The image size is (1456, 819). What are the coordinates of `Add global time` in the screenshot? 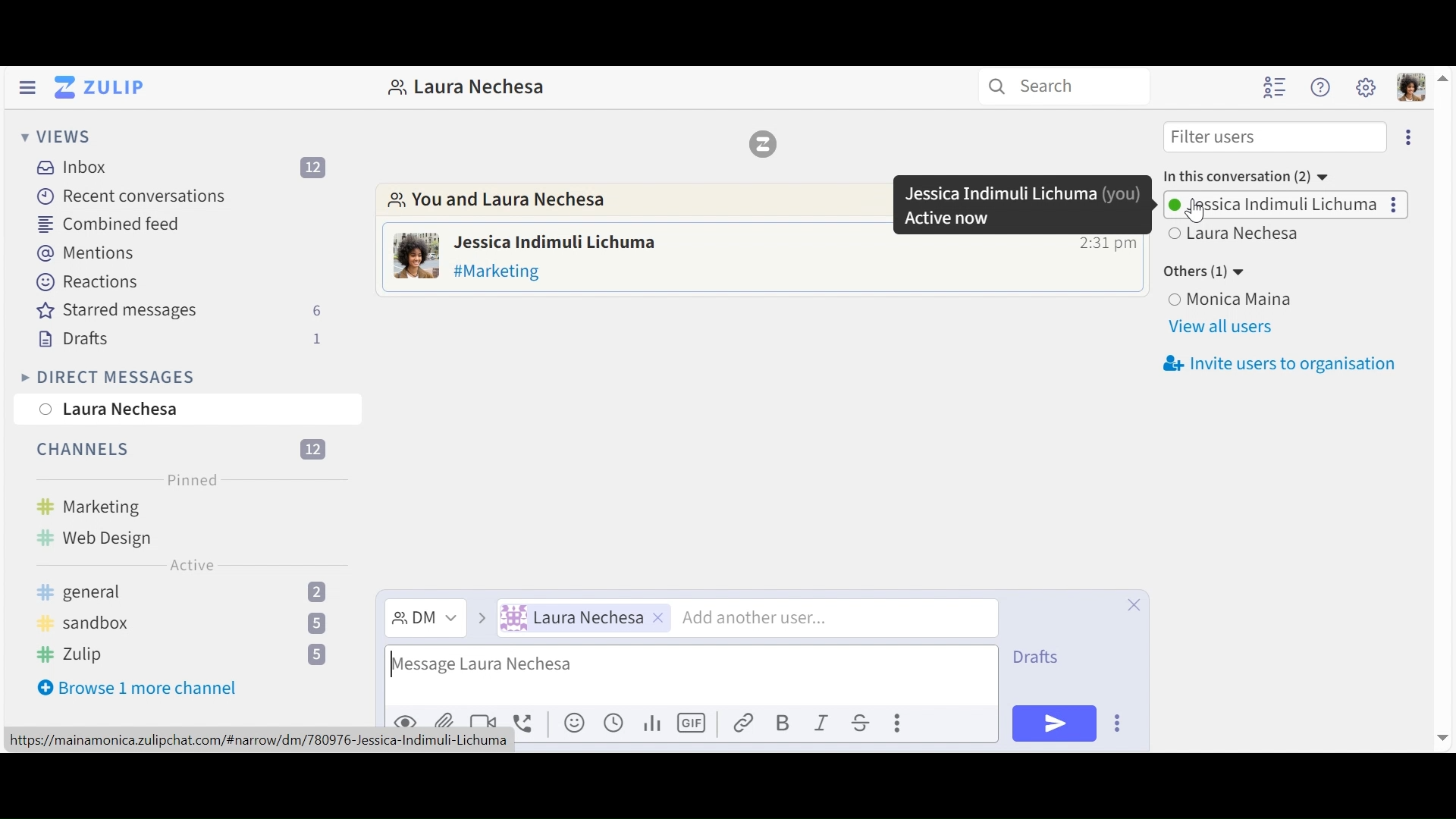 It's located at (617, 723).